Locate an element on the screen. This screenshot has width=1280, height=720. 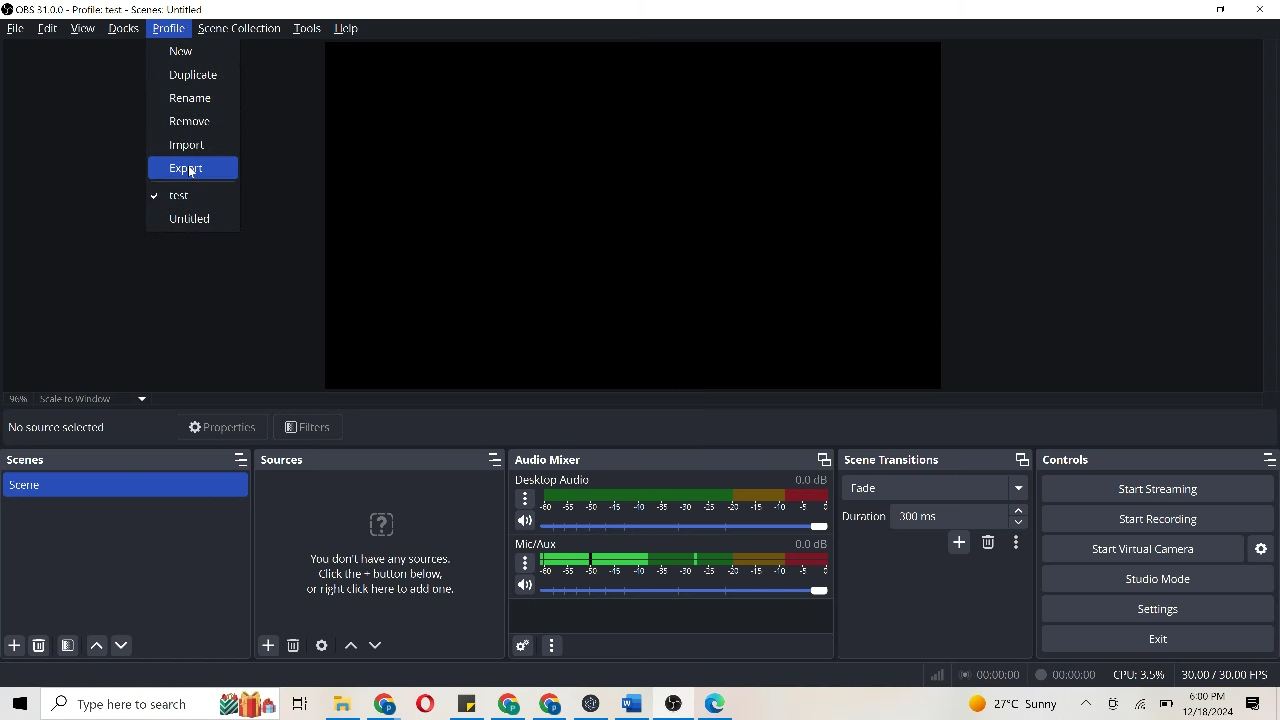
speaker is located at coordinates (523, 585).